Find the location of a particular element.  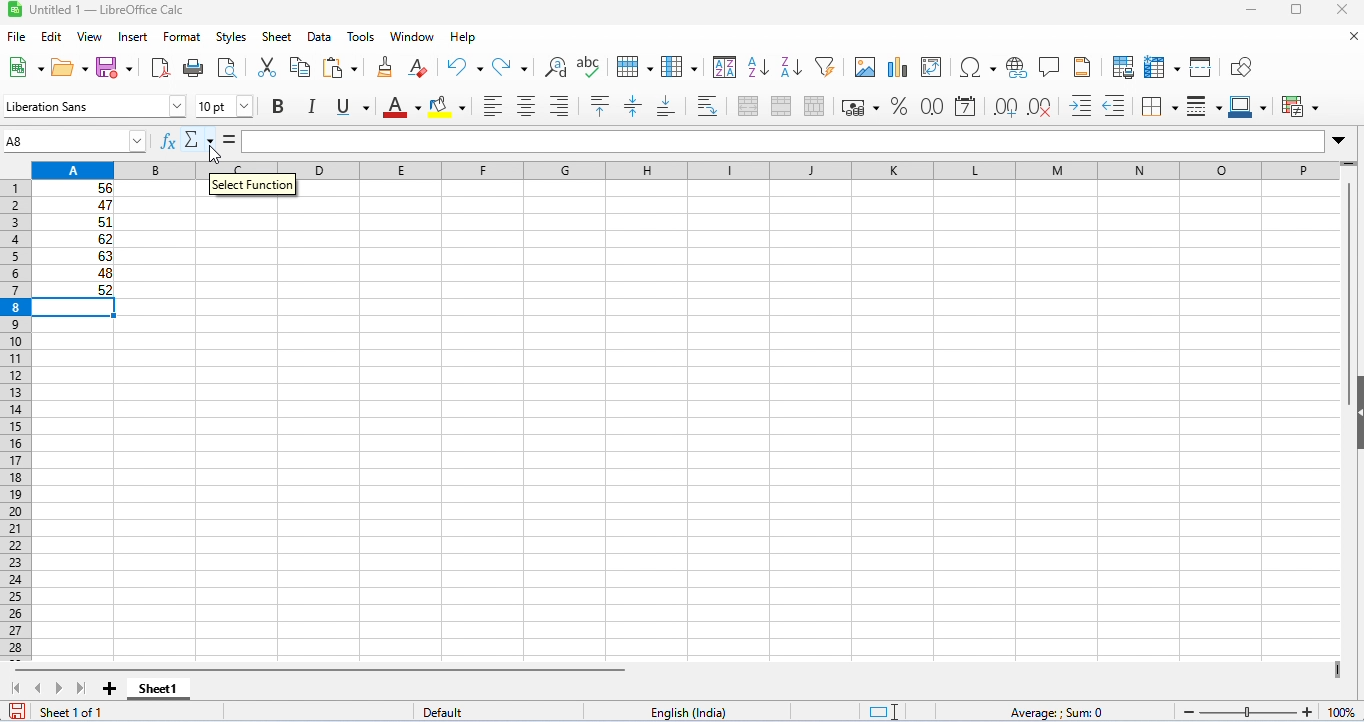

function wizard is located at coordinates (169, 141).